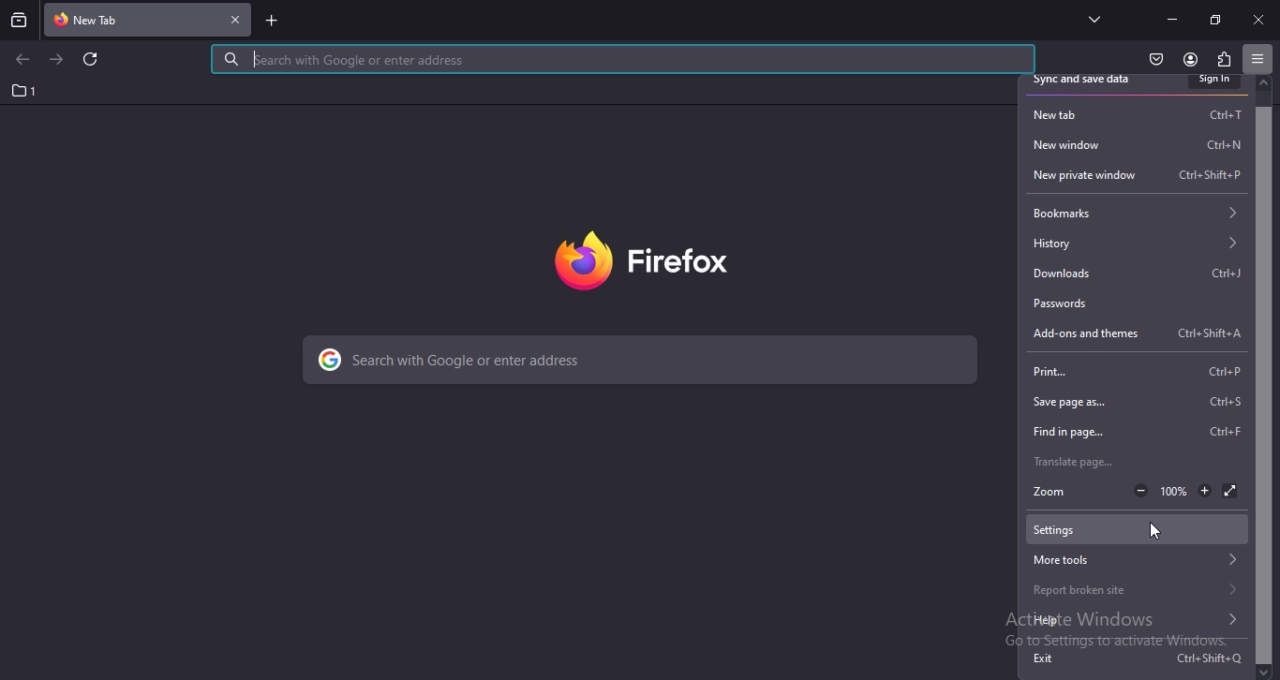 The width and height of the screenshot is (1280, 680). I want to click on sync and save data, so click(1090, 81).